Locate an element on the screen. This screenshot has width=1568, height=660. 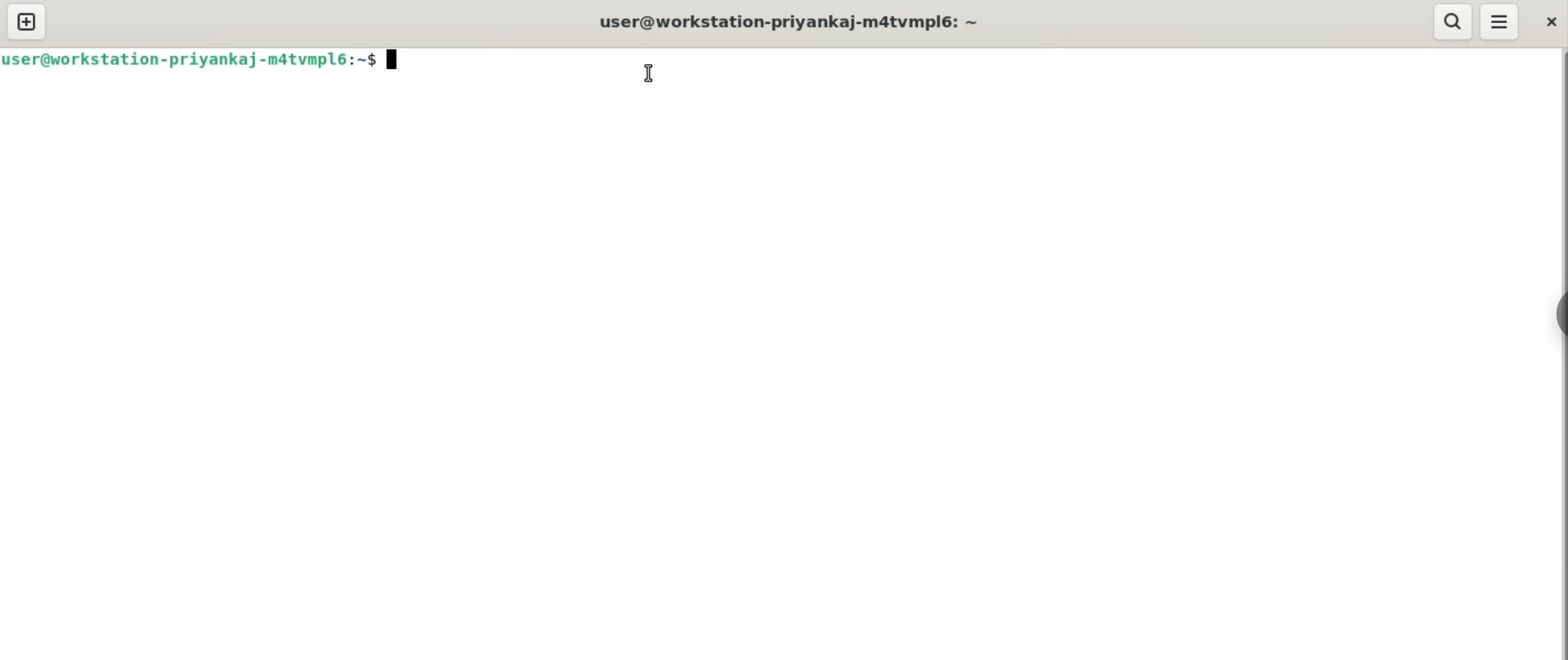
cursor is located at coordinates (649, 72).